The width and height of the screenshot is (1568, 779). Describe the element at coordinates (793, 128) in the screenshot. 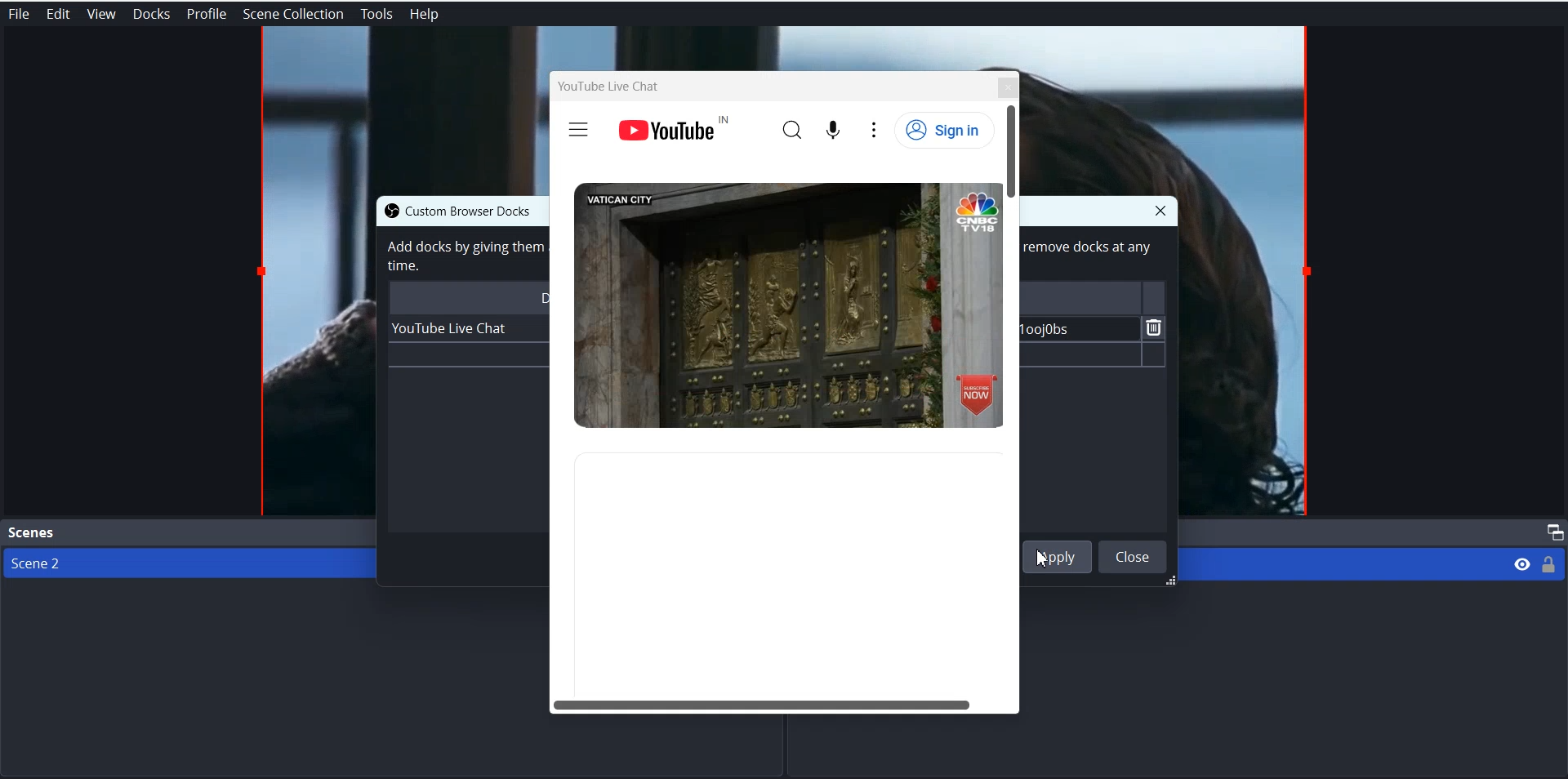

I see `Search` at that location.